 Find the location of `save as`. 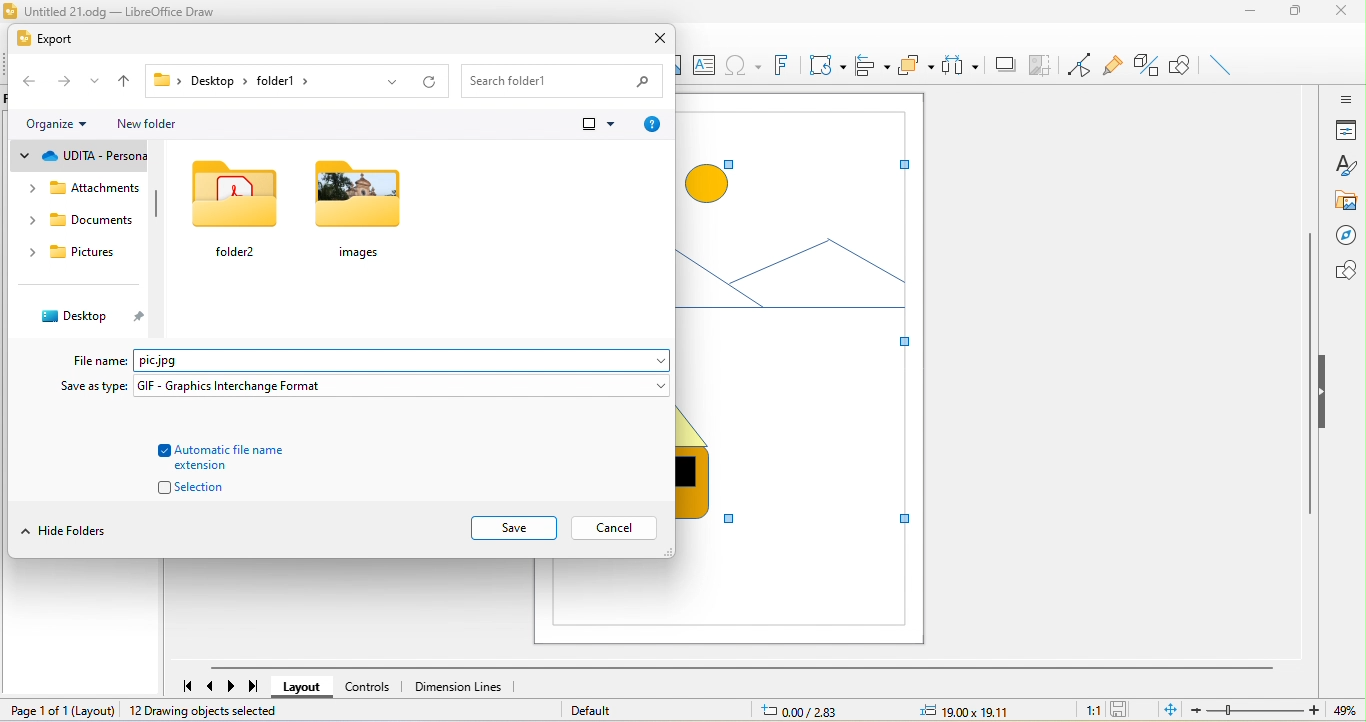

save as is located at coordinates (93, 386).